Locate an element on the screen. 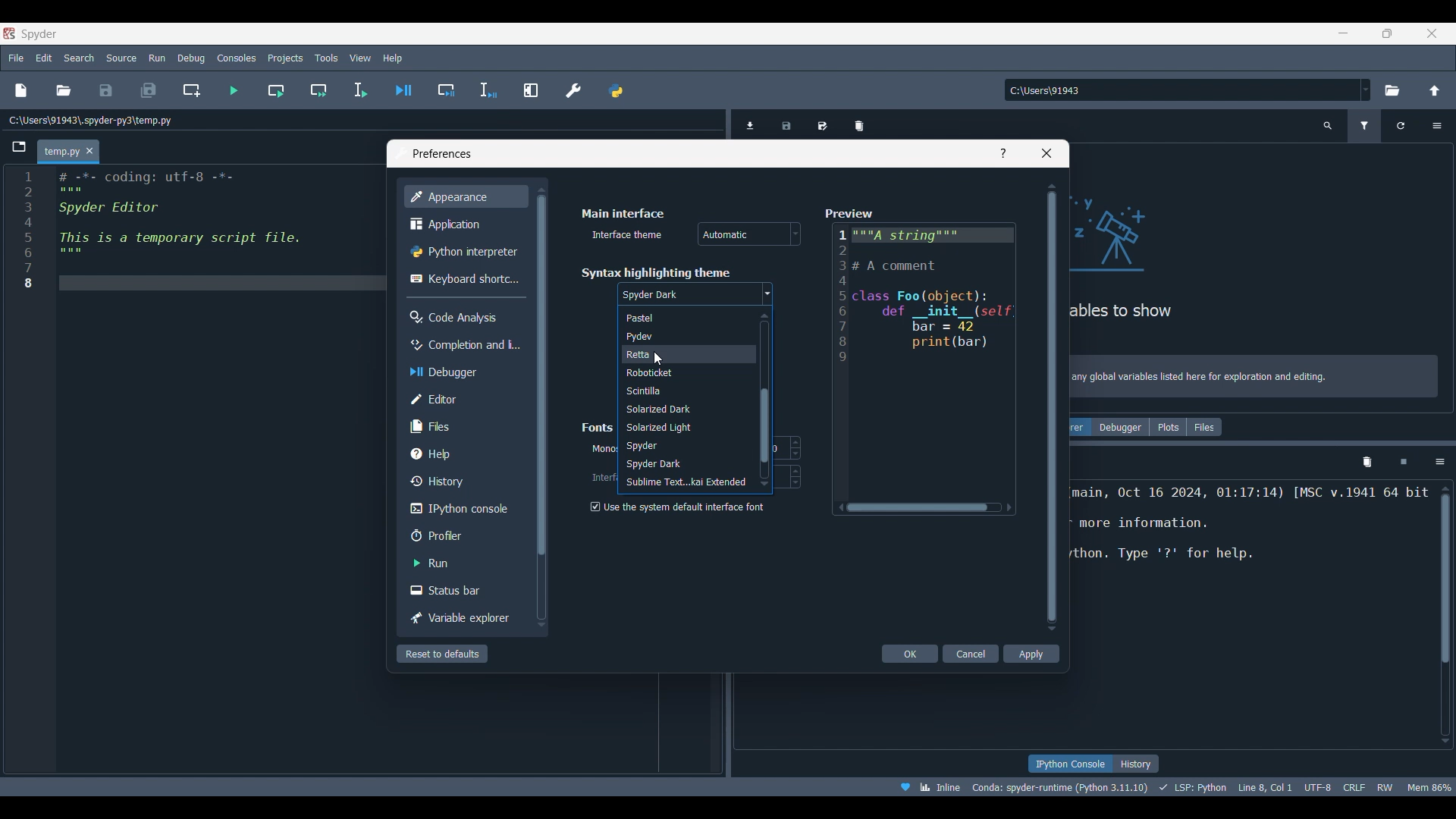  inline is located at coordinates (925, 786).